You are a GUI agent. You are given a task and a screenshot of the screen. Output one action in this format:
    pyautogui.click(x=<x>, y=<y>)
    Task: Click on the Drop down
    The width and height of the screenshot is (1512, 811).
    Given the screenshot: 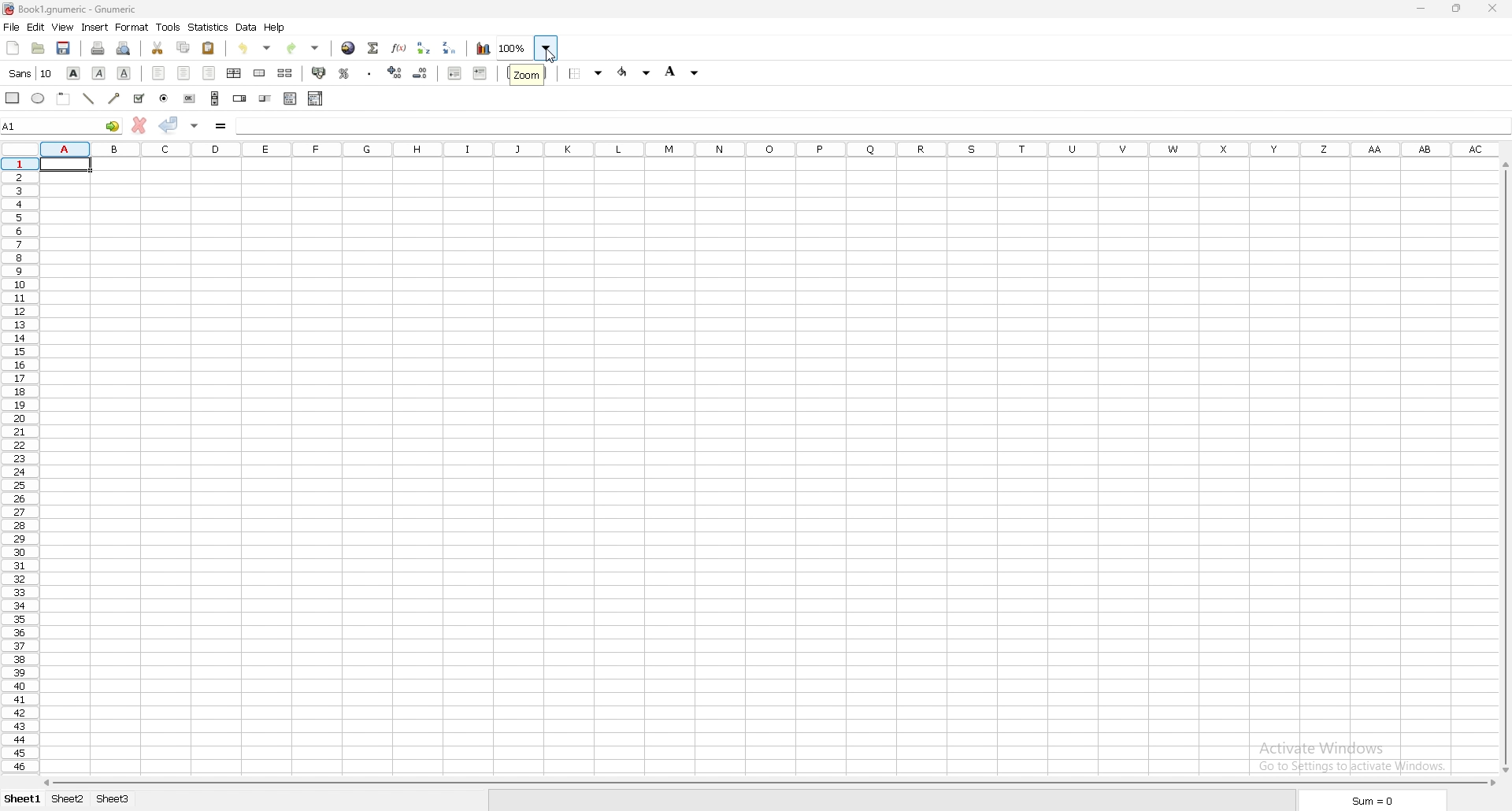 What is the action you would take?
    pyautogui.click(x=693, y=72)
    